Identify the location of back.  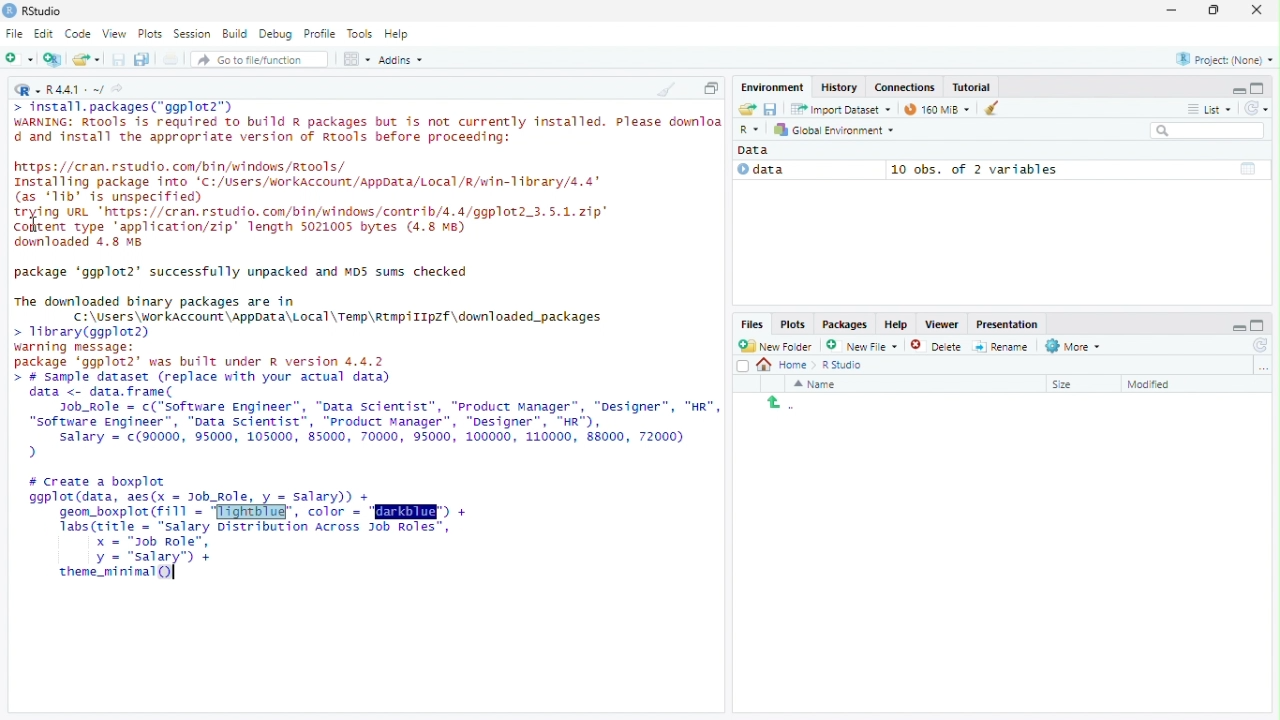
(775, 402).